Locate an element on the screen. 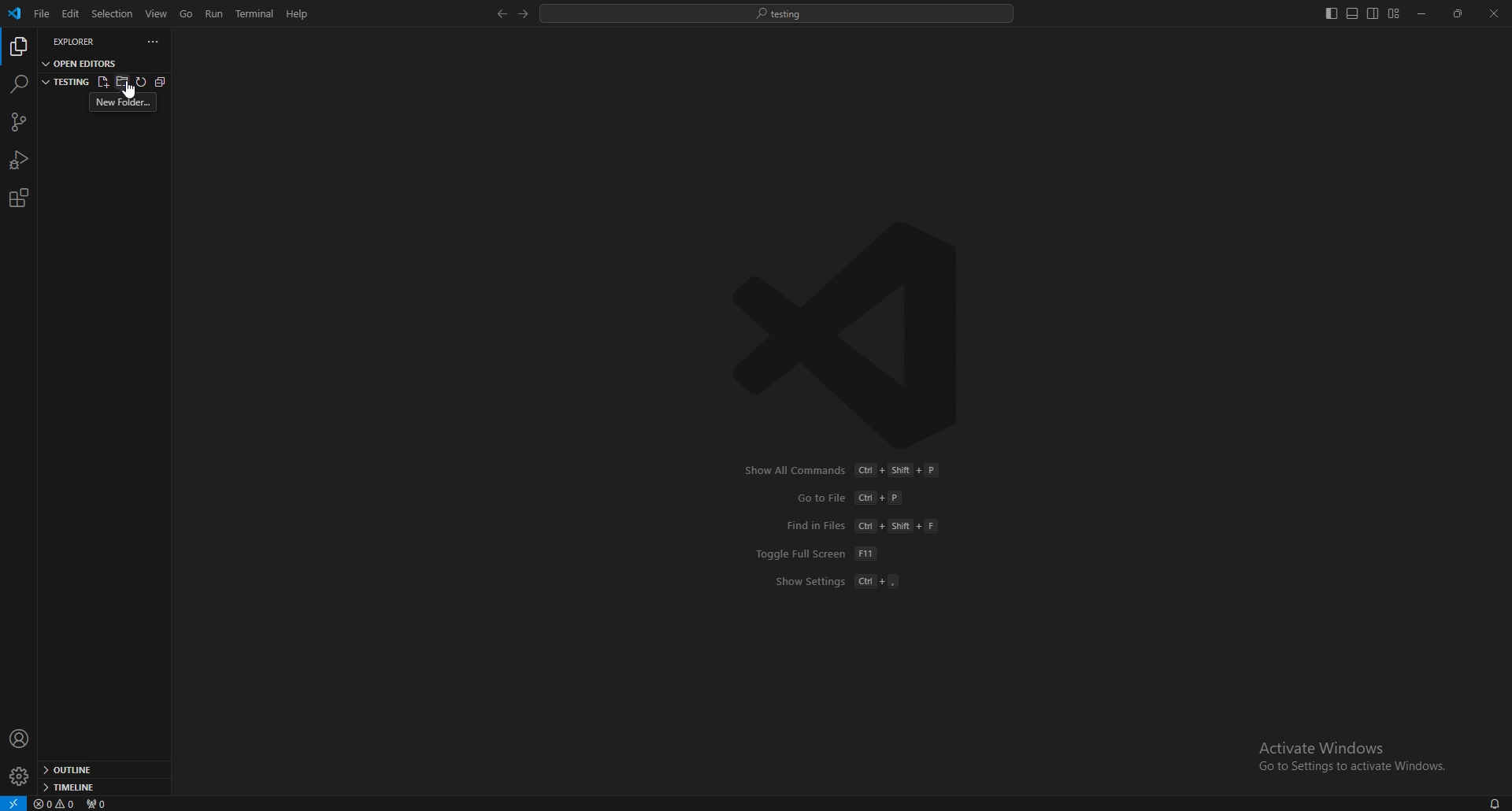  back is located at coordinates (498, 14).